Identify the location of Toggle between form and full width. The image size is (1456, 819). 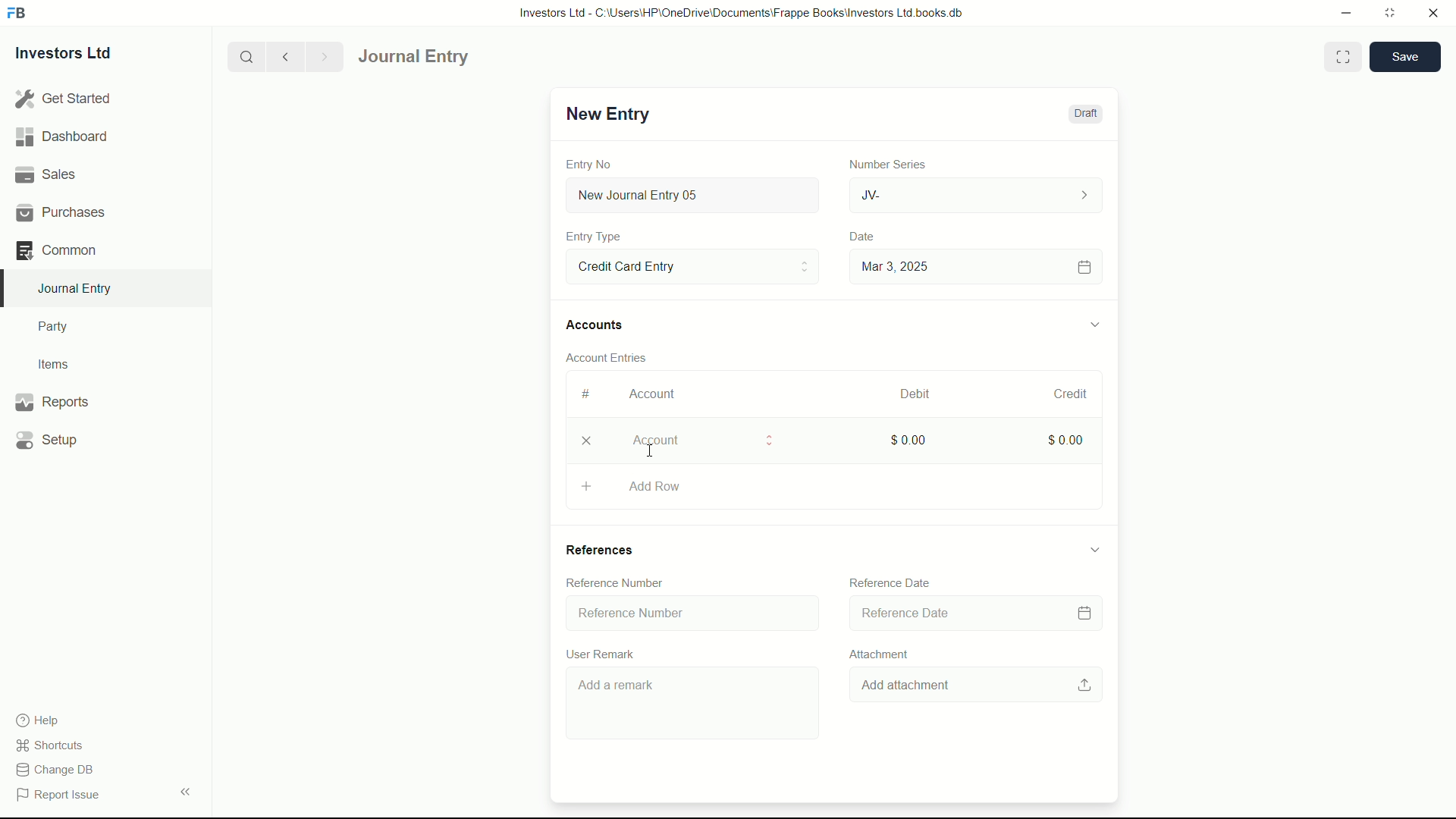
(1344, 57).